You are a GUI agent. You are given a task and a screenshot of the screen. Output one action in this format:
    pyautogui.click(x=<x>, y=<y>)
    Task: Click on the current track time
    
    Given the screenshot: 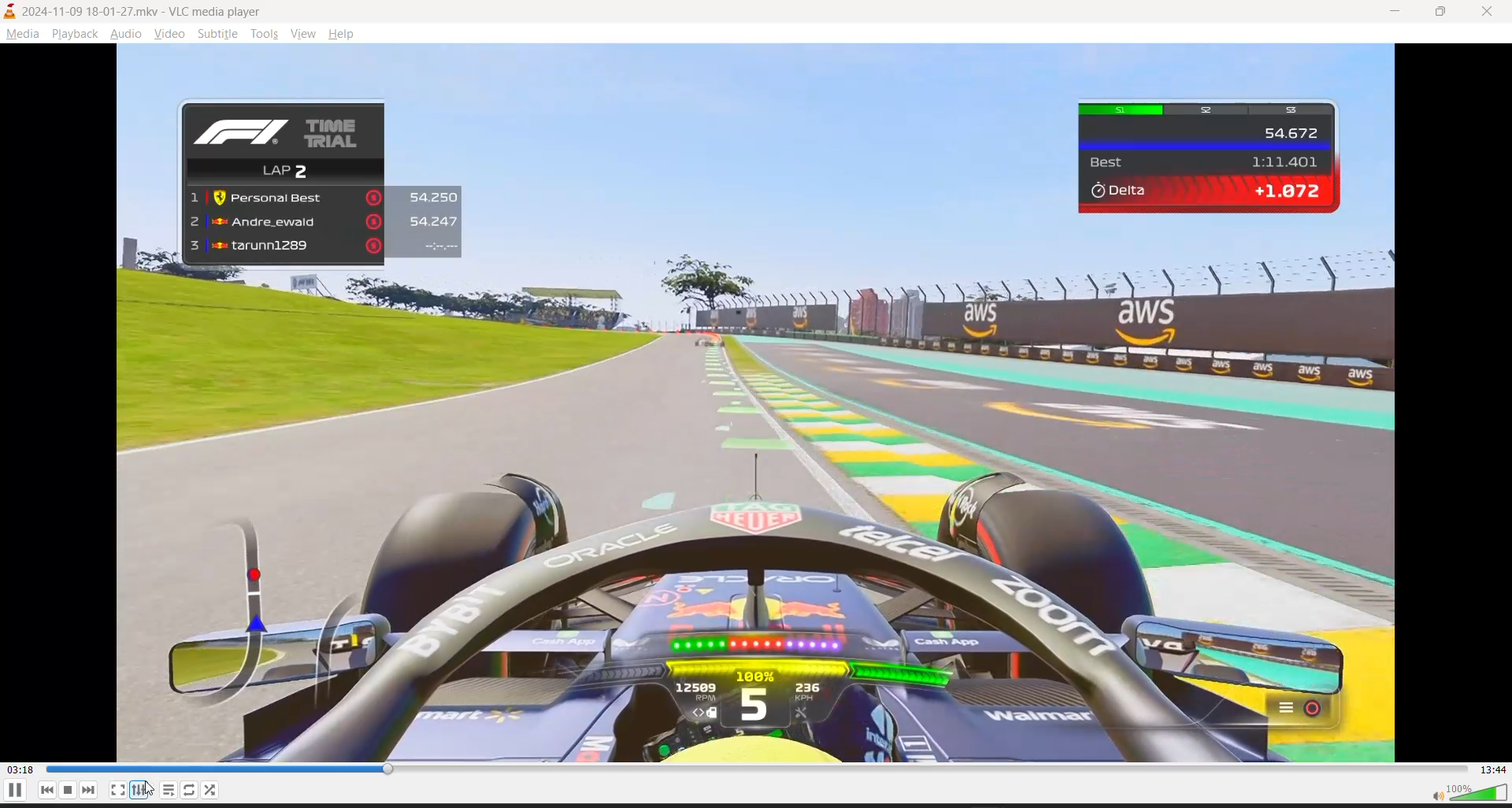 What is the action you would take?
    pyautogui.click(x=20, y=770)
    